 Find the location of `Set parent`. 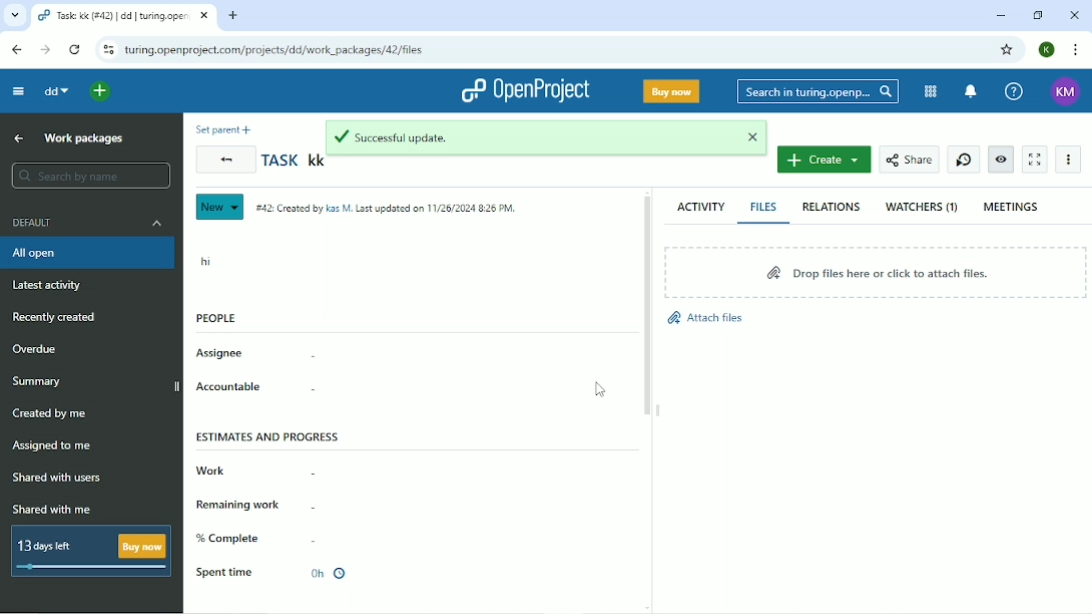

Set parent is located at coordinates (224, 130).